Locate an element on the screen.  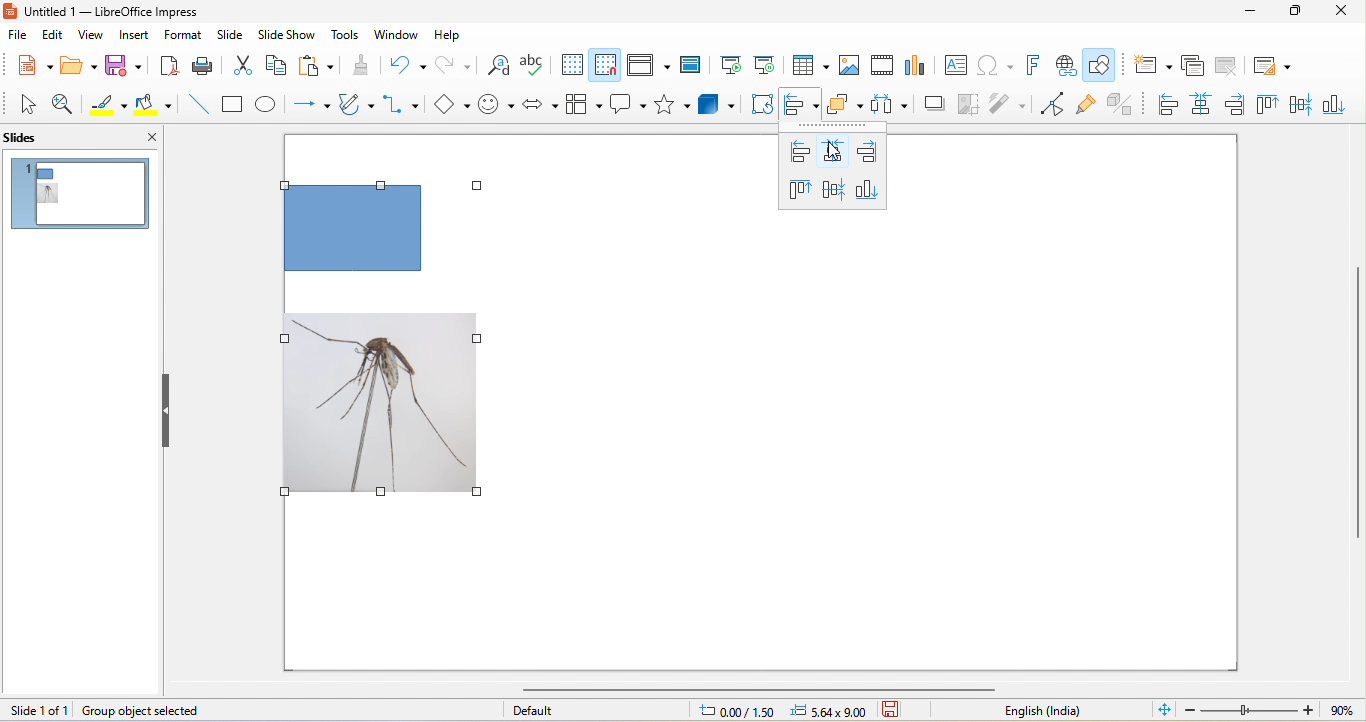
connectors is located at coordinates (402, 106).